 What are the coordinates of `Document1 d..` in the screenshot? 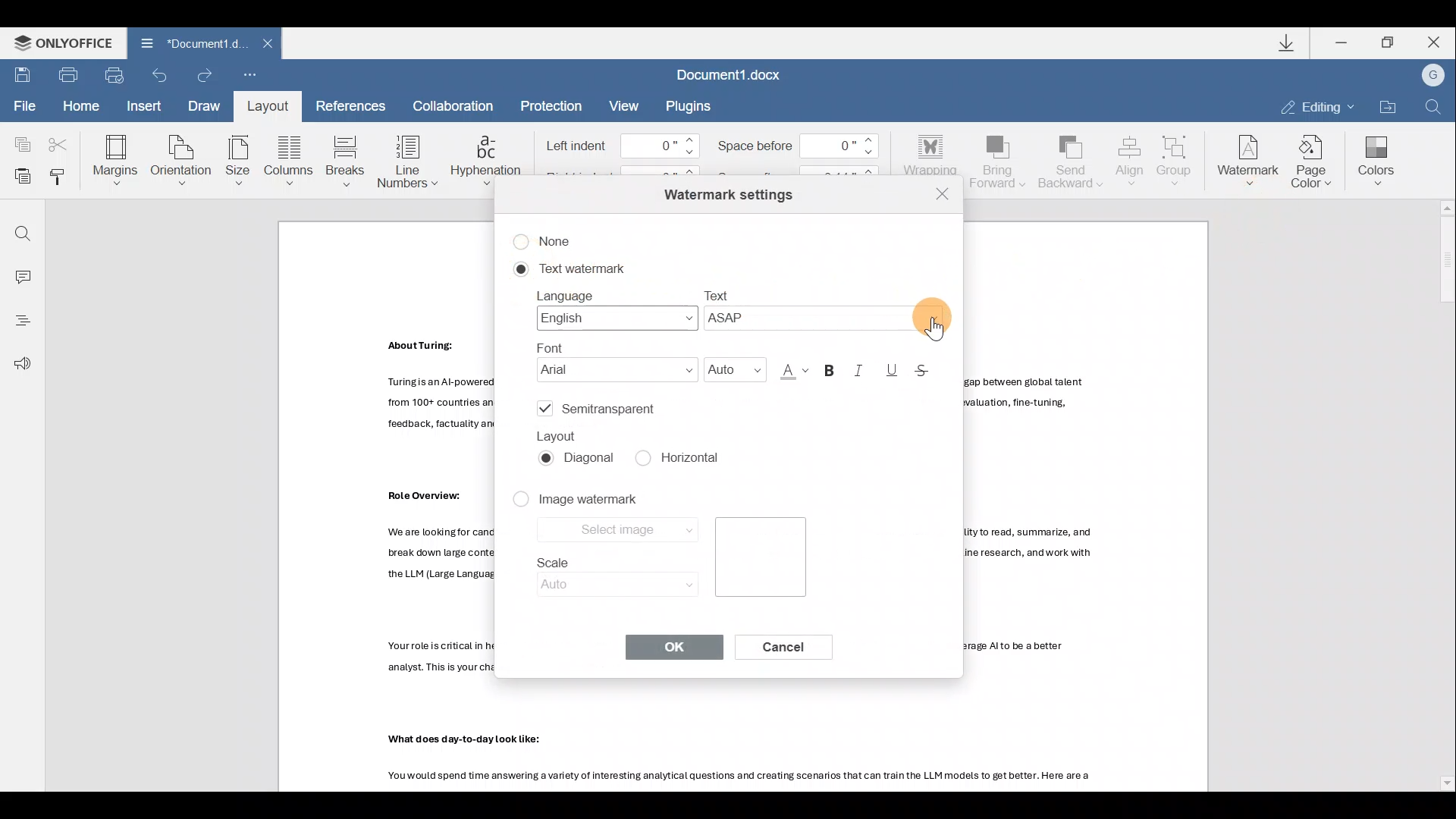 It's located at (187, 42).